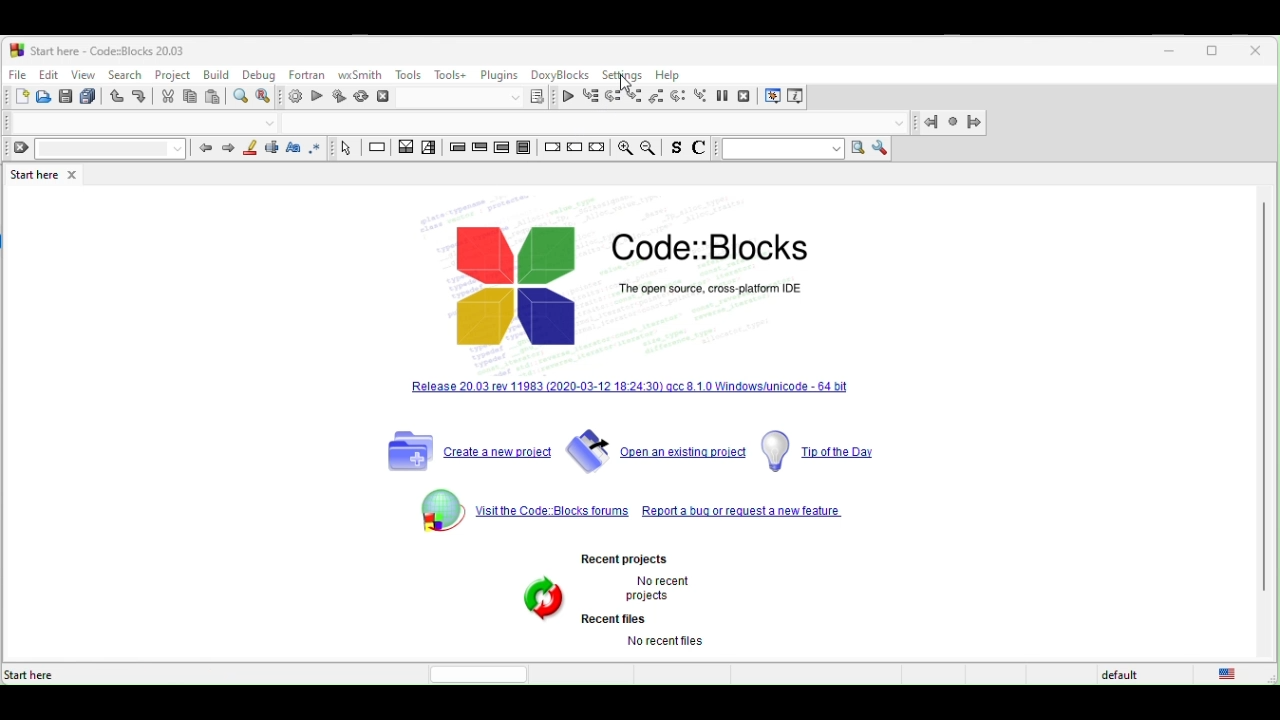 The image size is (1280, 720). What do you see at coordinates (633, 389) in the screenshot?
I see `release 20.03 rev 11983[2020-03-12-18-24.3] qcc 8.10 windows unicode 64 bit` at bounding box center [633, 389].